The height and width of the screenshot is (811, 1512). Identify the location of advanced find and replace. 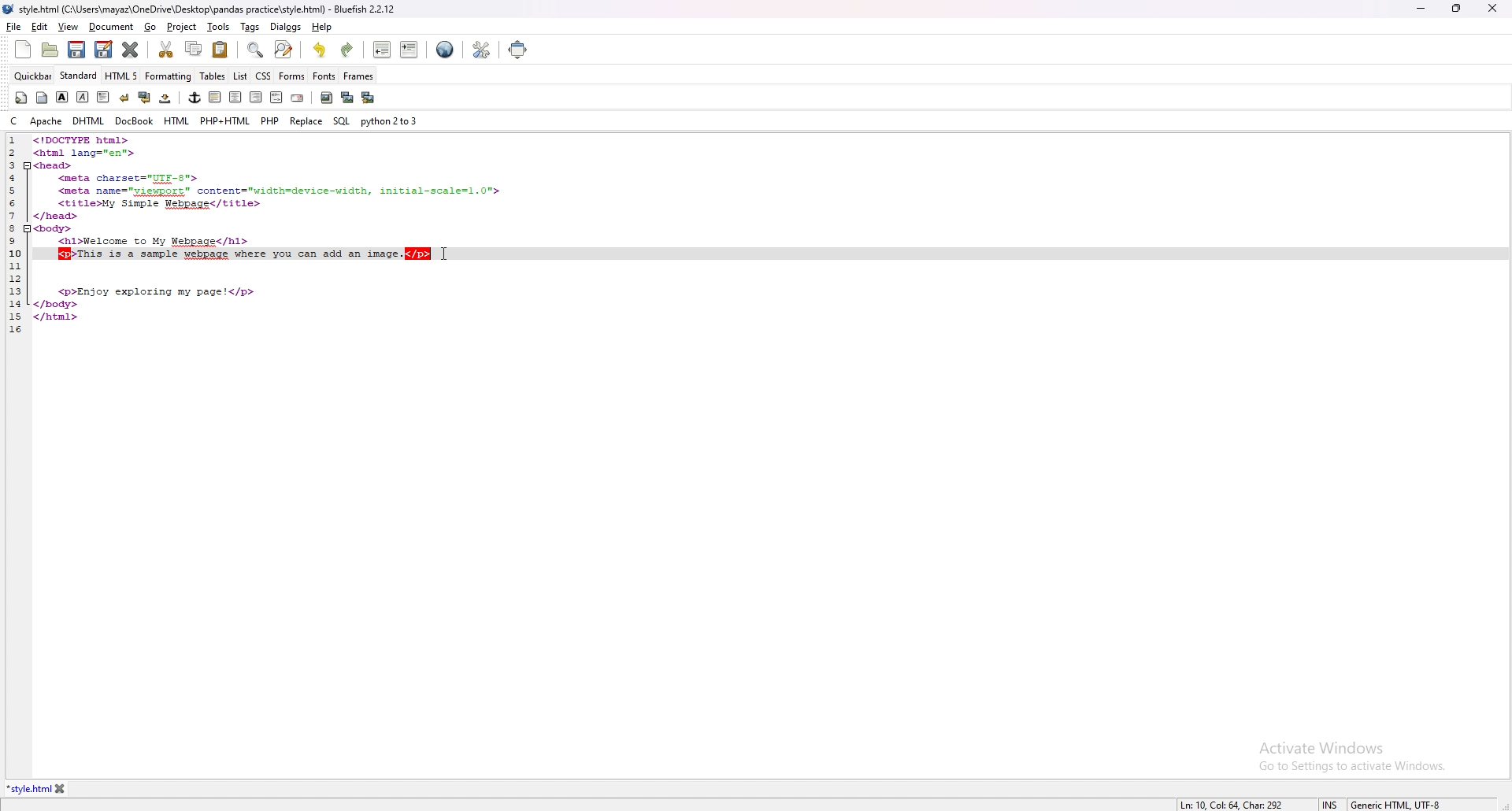
(284, 50).